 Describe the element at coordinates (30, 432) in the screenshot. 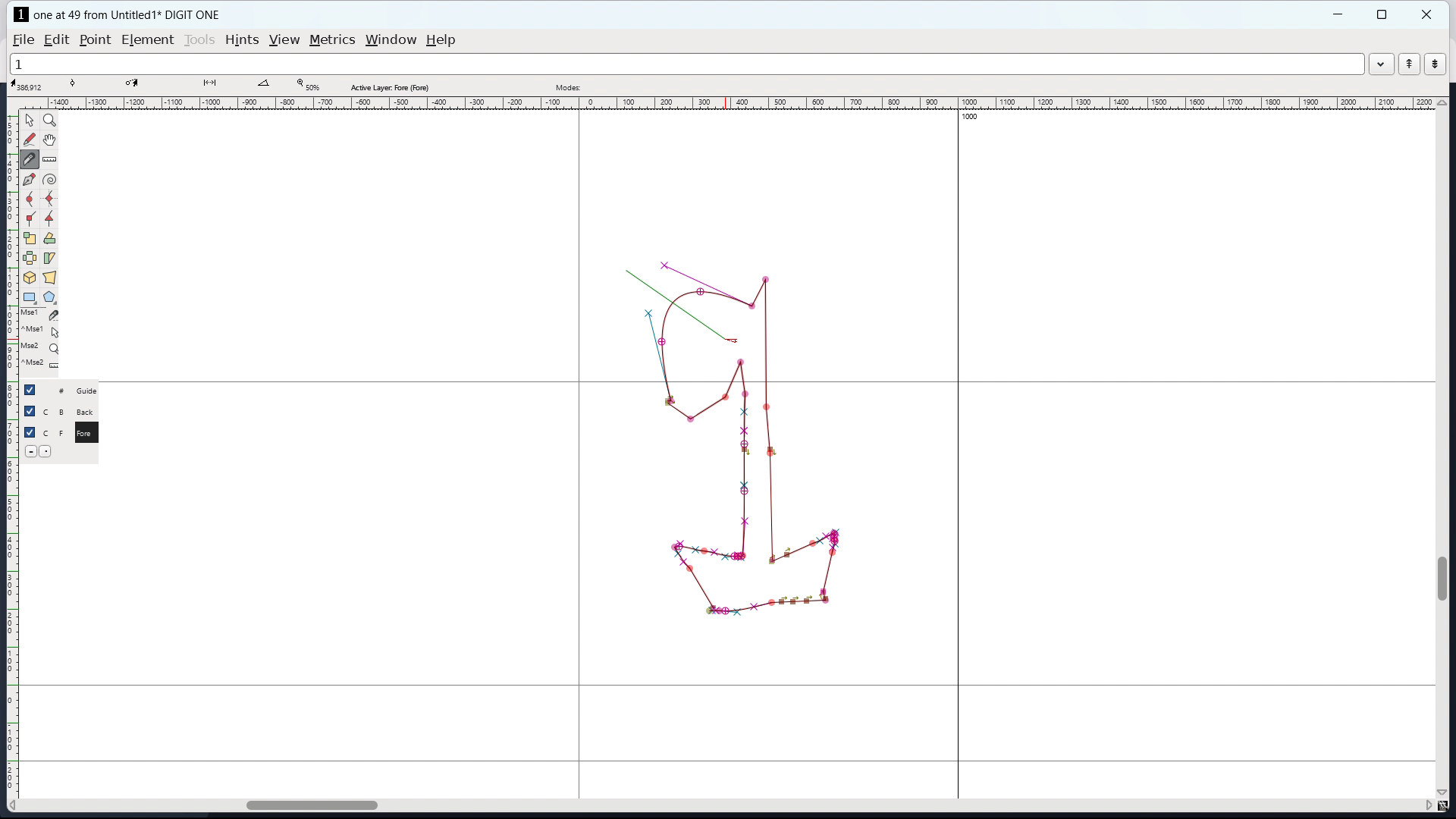

I see `is layer visible` at that location.